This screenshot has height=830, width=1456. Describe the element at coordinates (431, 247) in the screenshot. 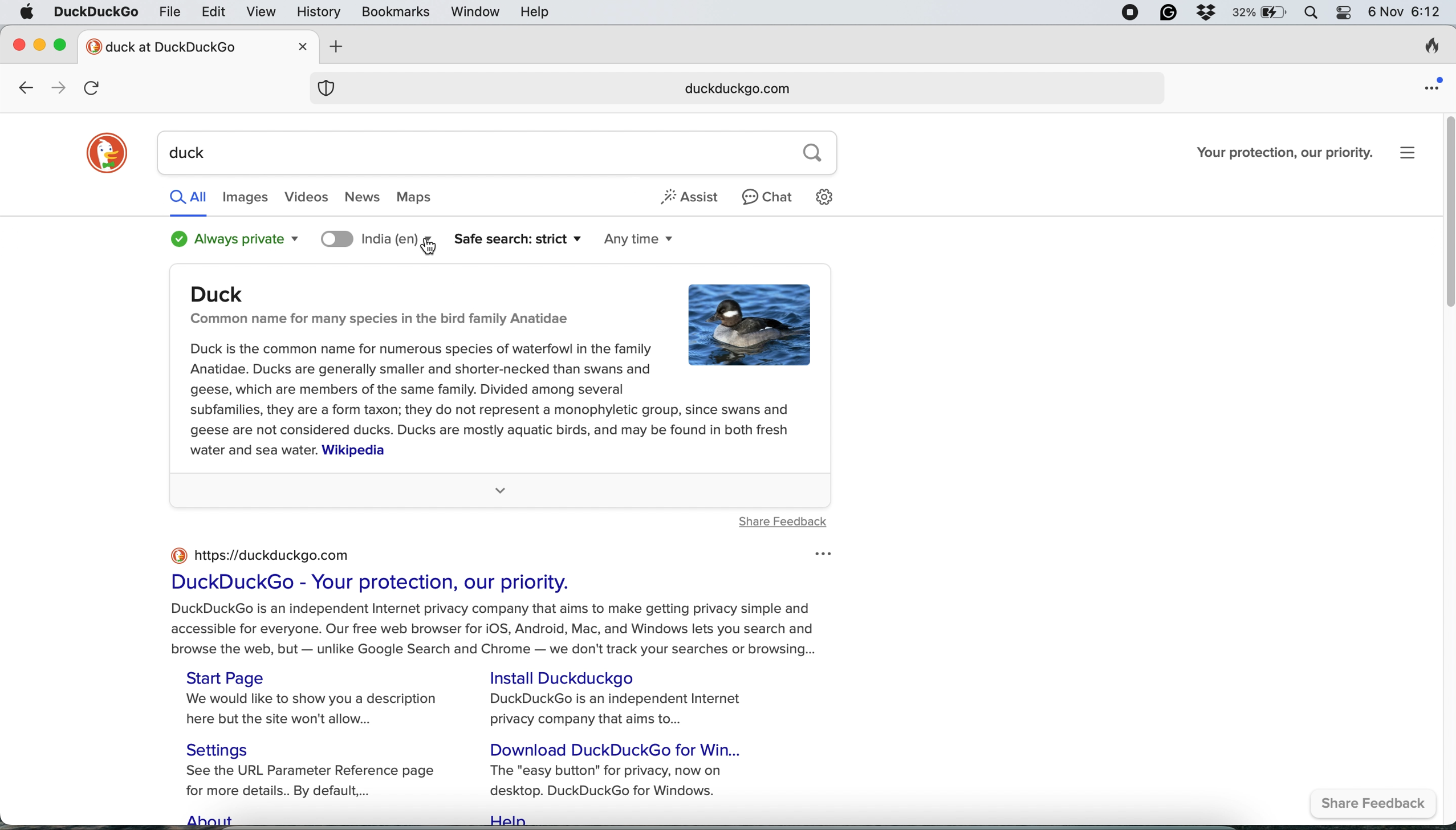

I see `cursor` at that location.